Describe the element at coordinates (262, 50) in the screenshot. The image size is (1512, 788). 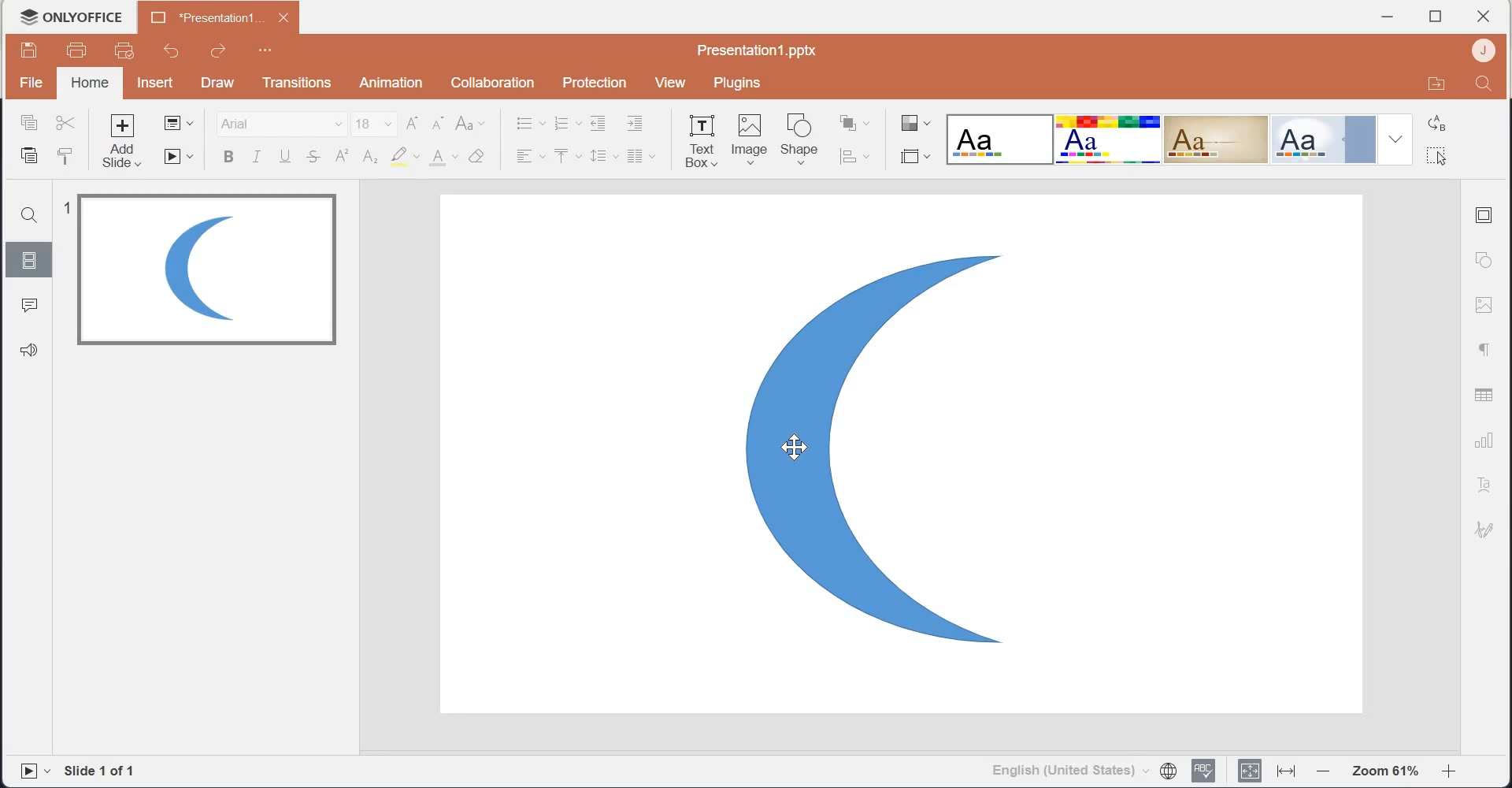
I see `Customize Quick Access Toolbar` at that location.